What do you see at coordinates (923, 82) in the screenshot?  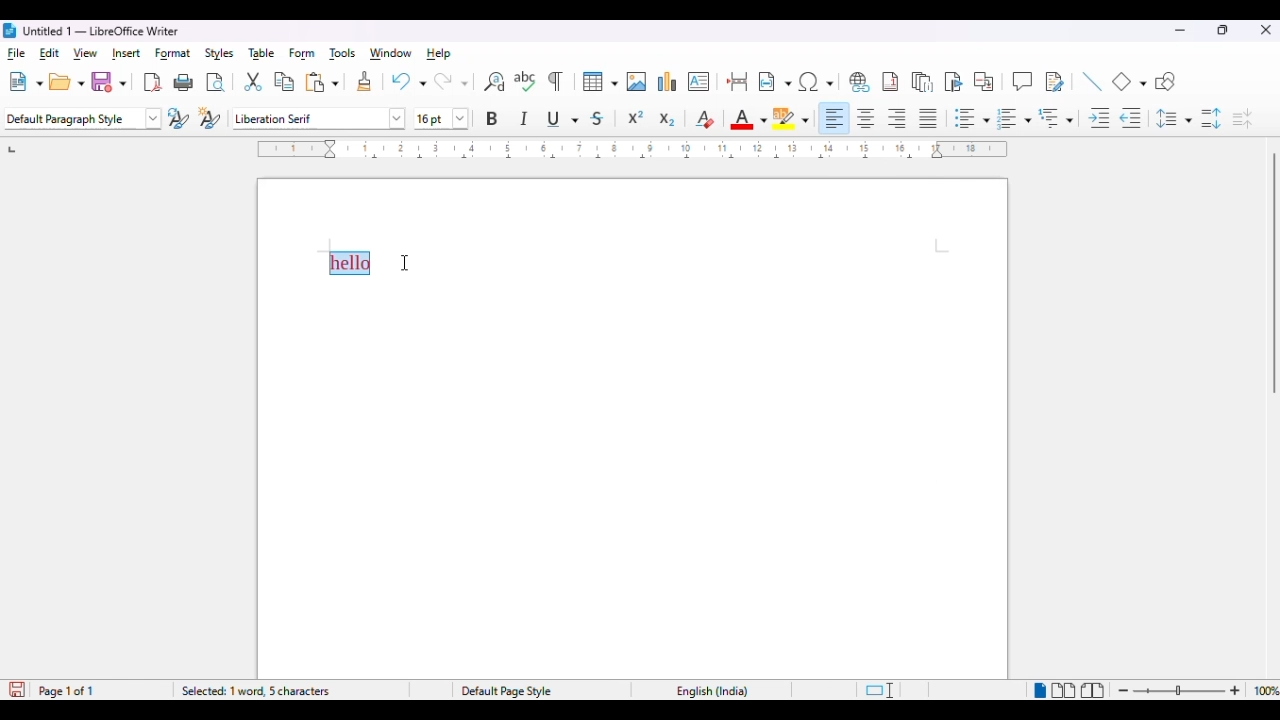 I see `insert endnote` at bounding box center [923, 82].